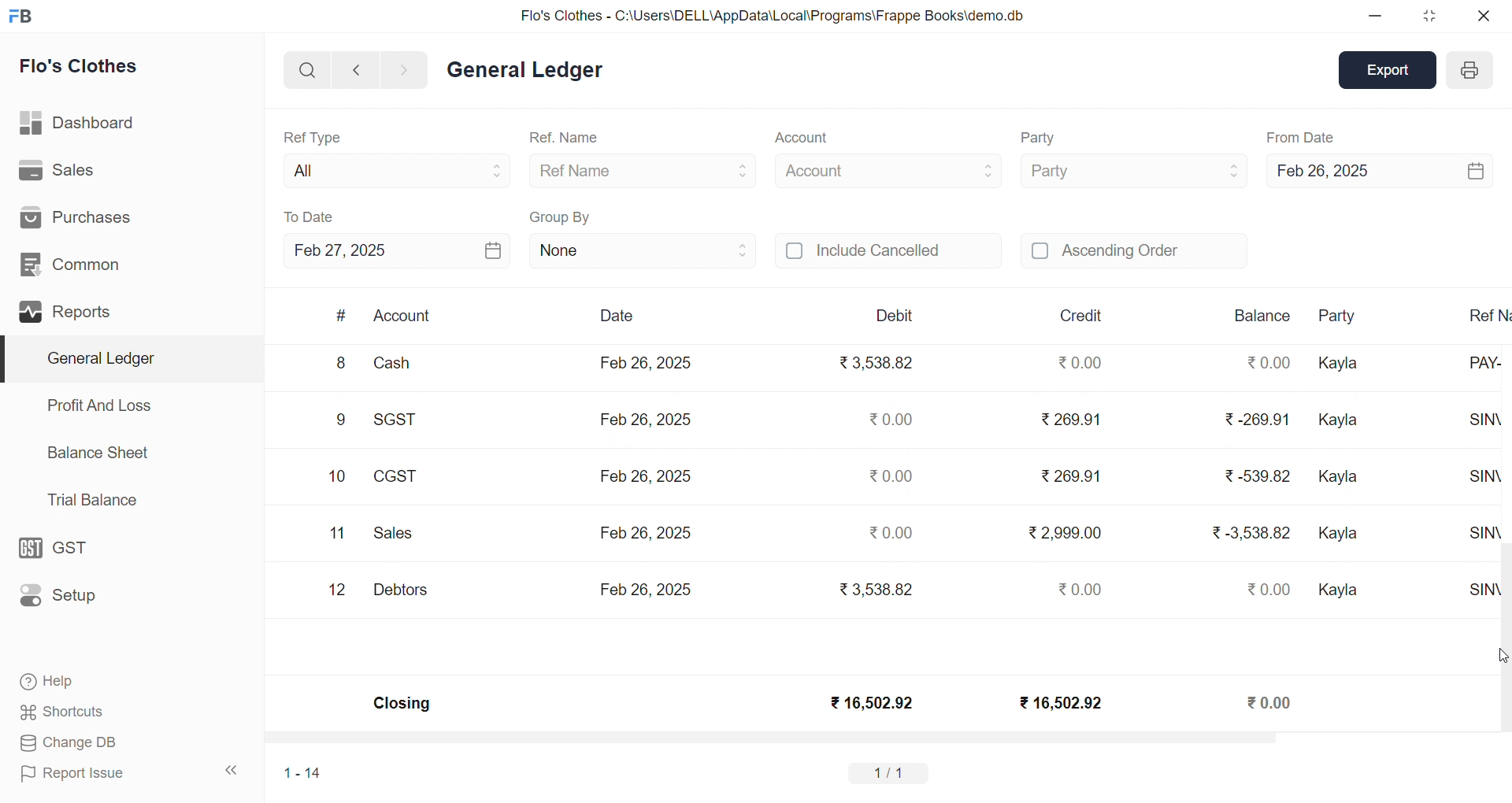 The image size is (1512, 803). Describe the element at coordinates (66, 742) in the screenshot. I see `Change DB` at that location.